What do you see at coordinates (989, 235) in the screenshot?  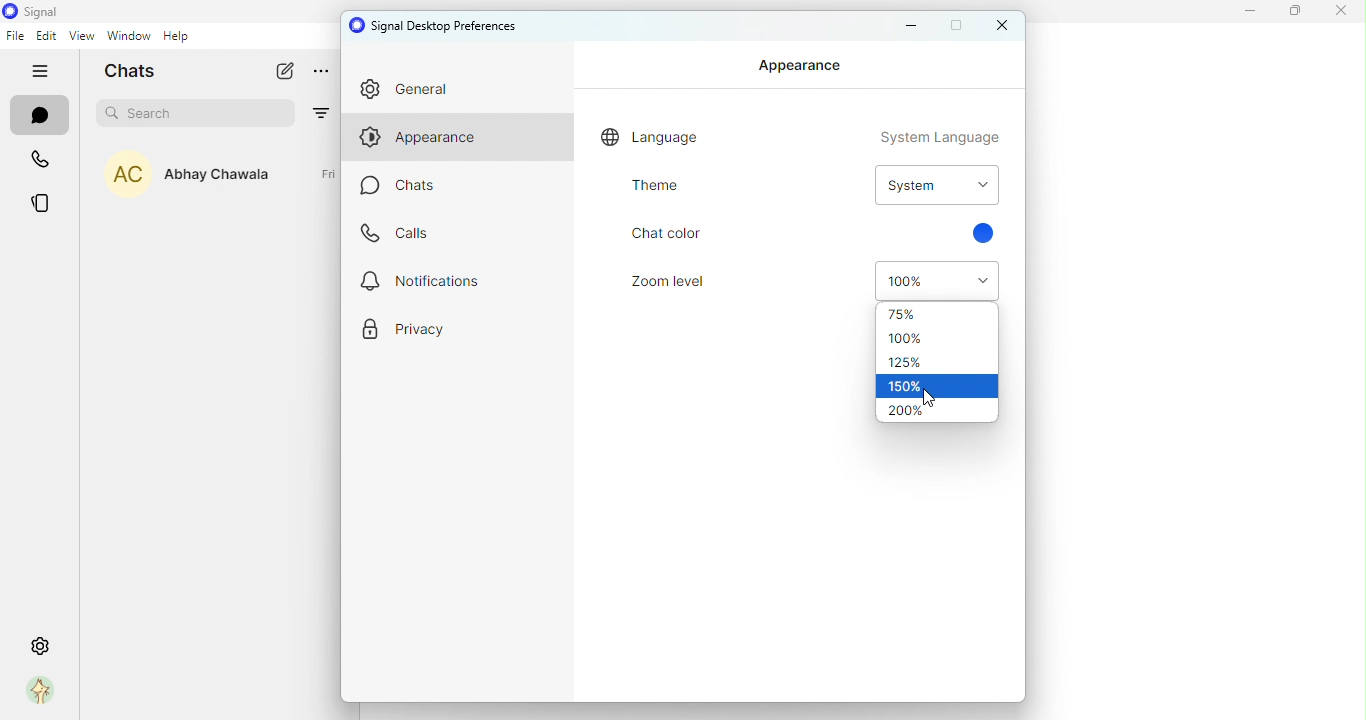 I see `color` at bounding box center [989, 235].